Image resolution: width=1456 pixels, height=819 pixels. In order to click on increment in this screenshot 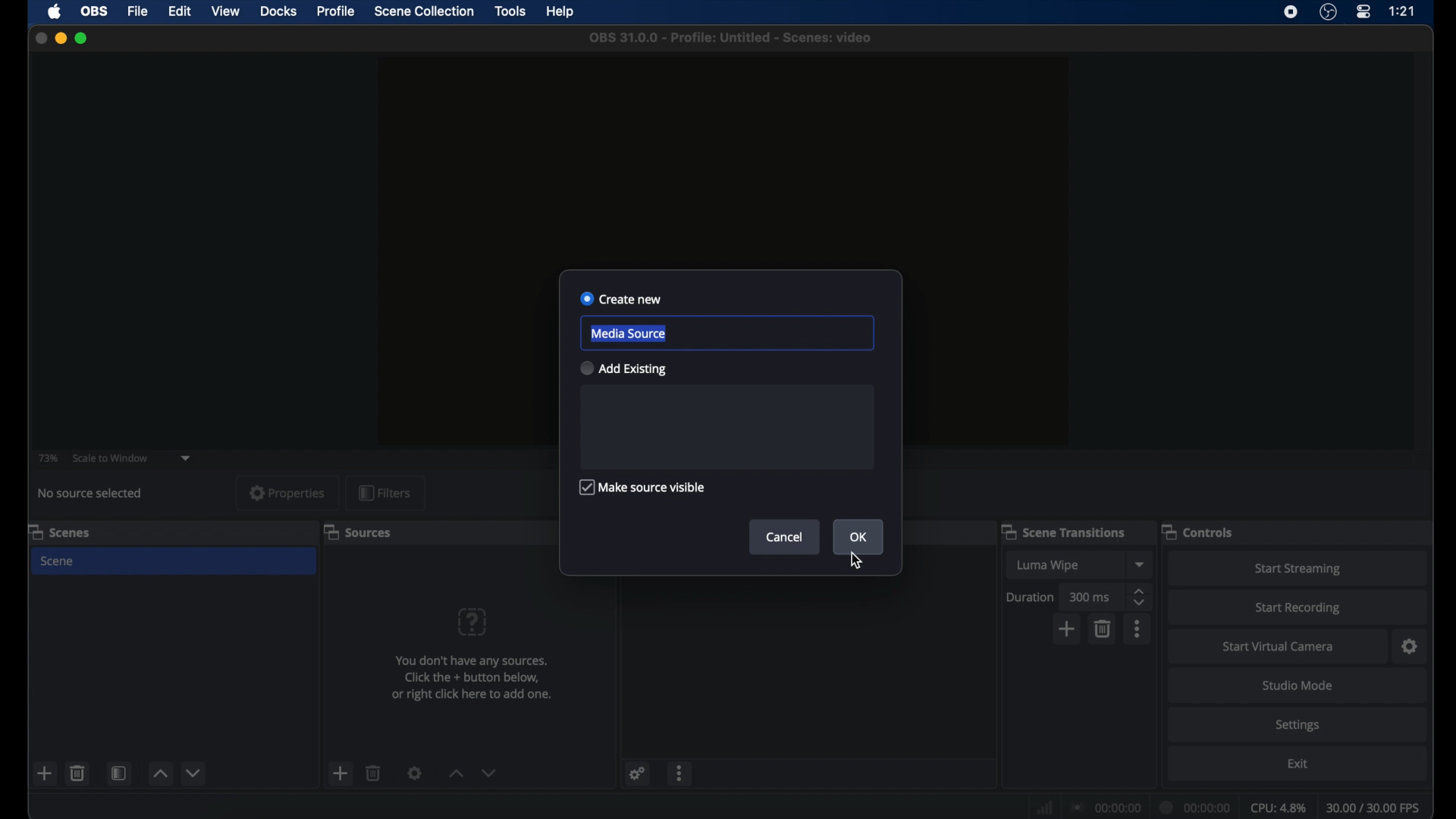, I will do `click(455, 773)`.